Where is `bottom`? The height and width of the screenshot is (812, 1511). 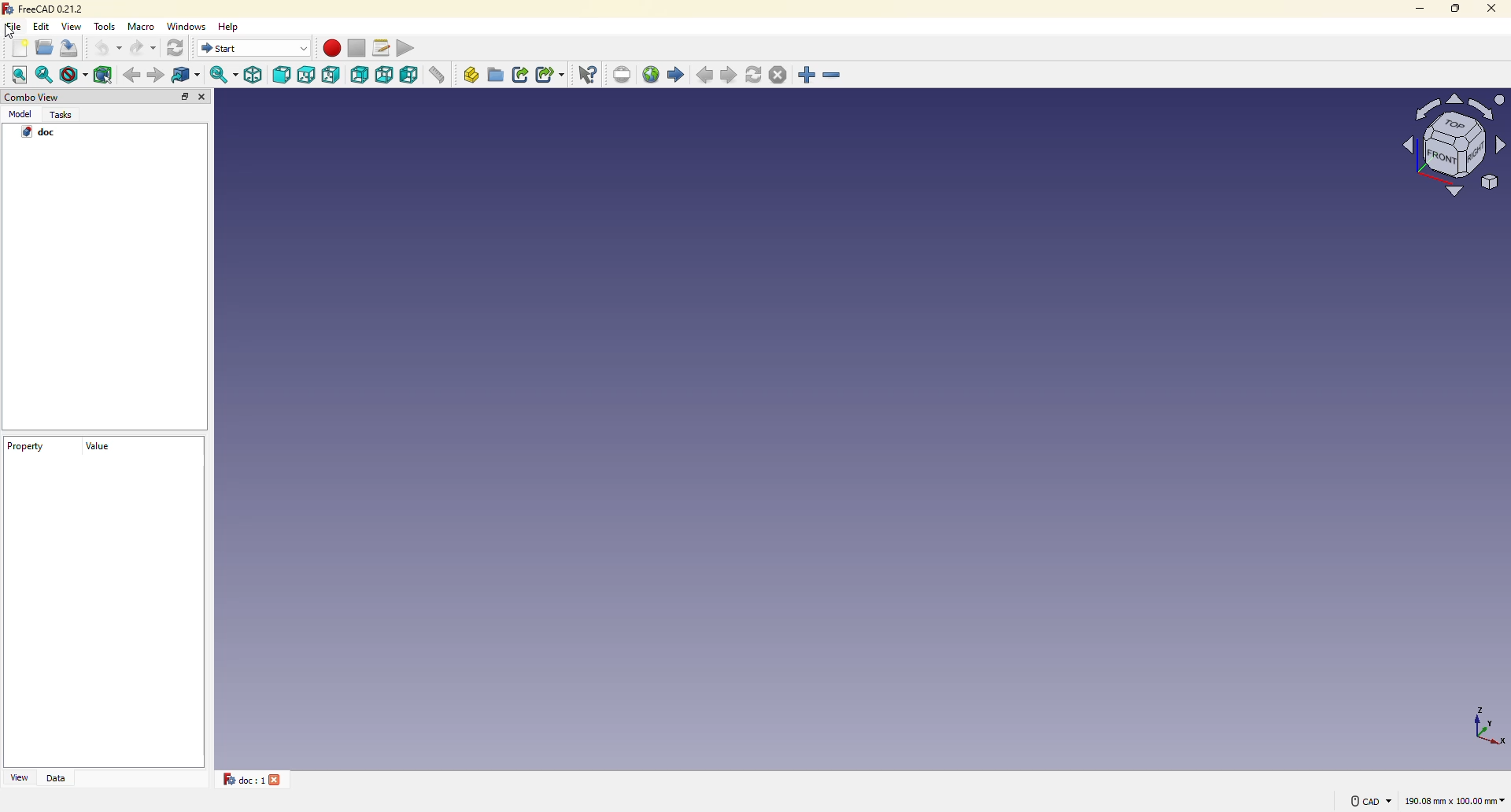 bottom is located at coordinates (386, 75).